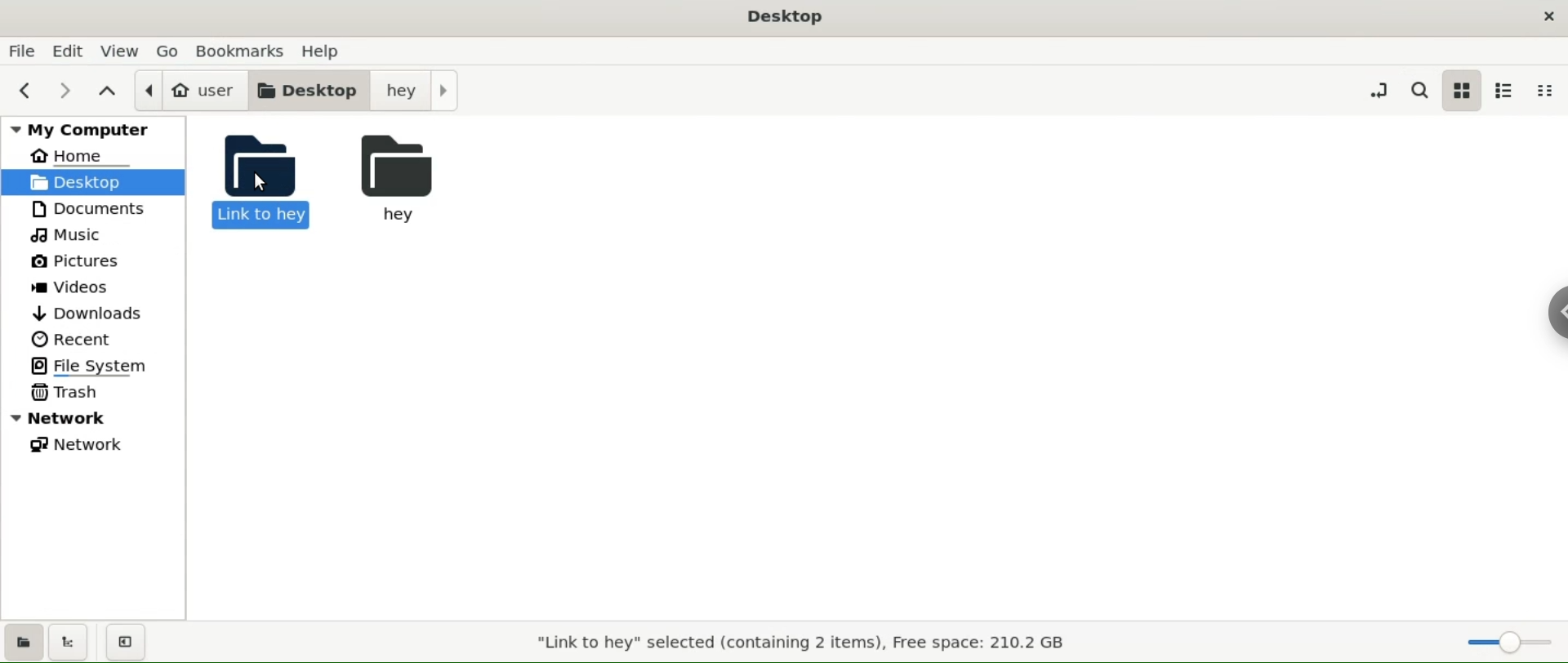 This screenshot has height=663, width=1568. Describe the element at coordinates (271, 185) in the screenshot. I see `link to hey` at that location.